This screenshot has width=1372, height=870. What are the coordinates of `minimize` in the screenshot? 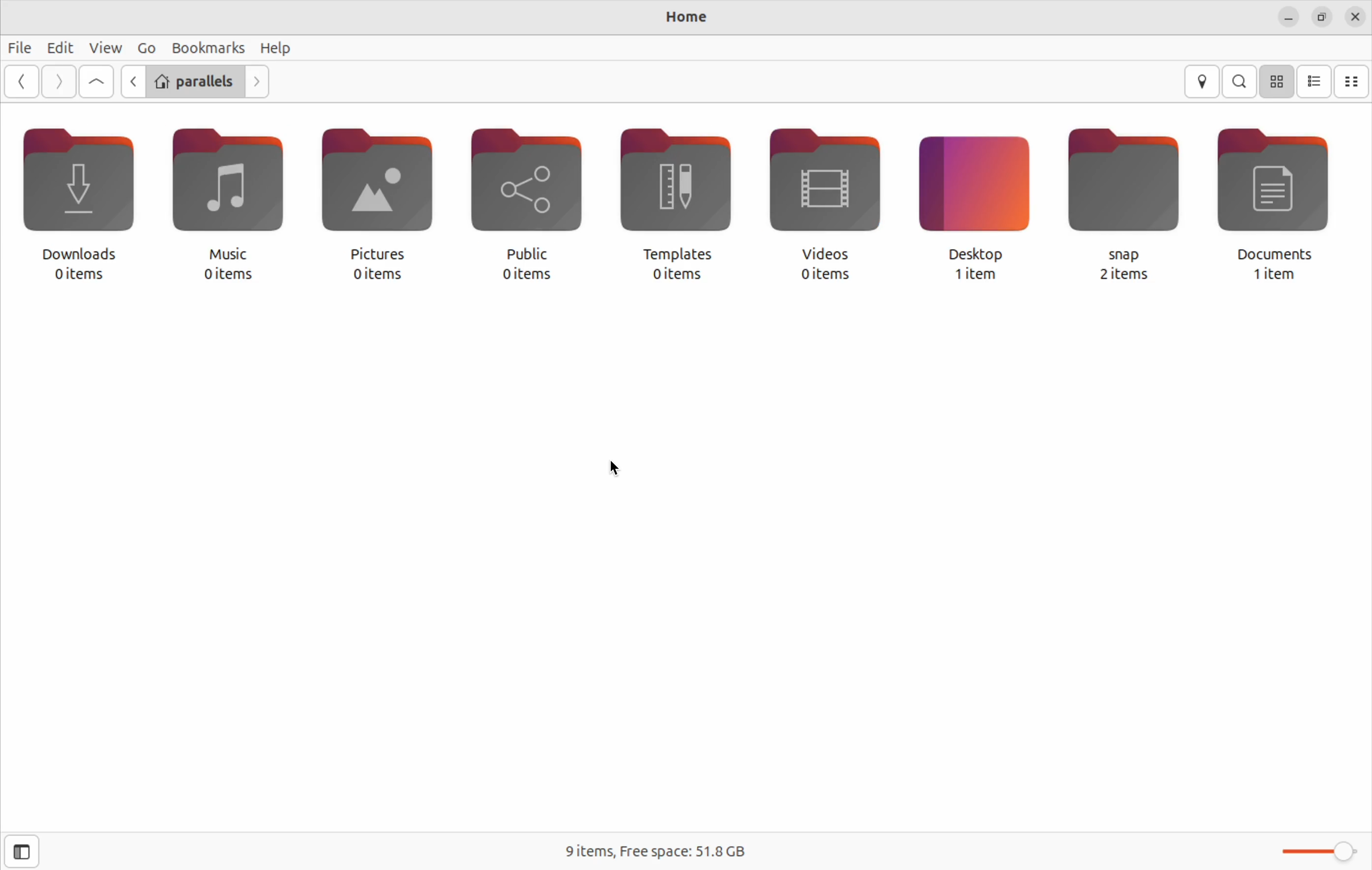 It's located at (1288, 16).